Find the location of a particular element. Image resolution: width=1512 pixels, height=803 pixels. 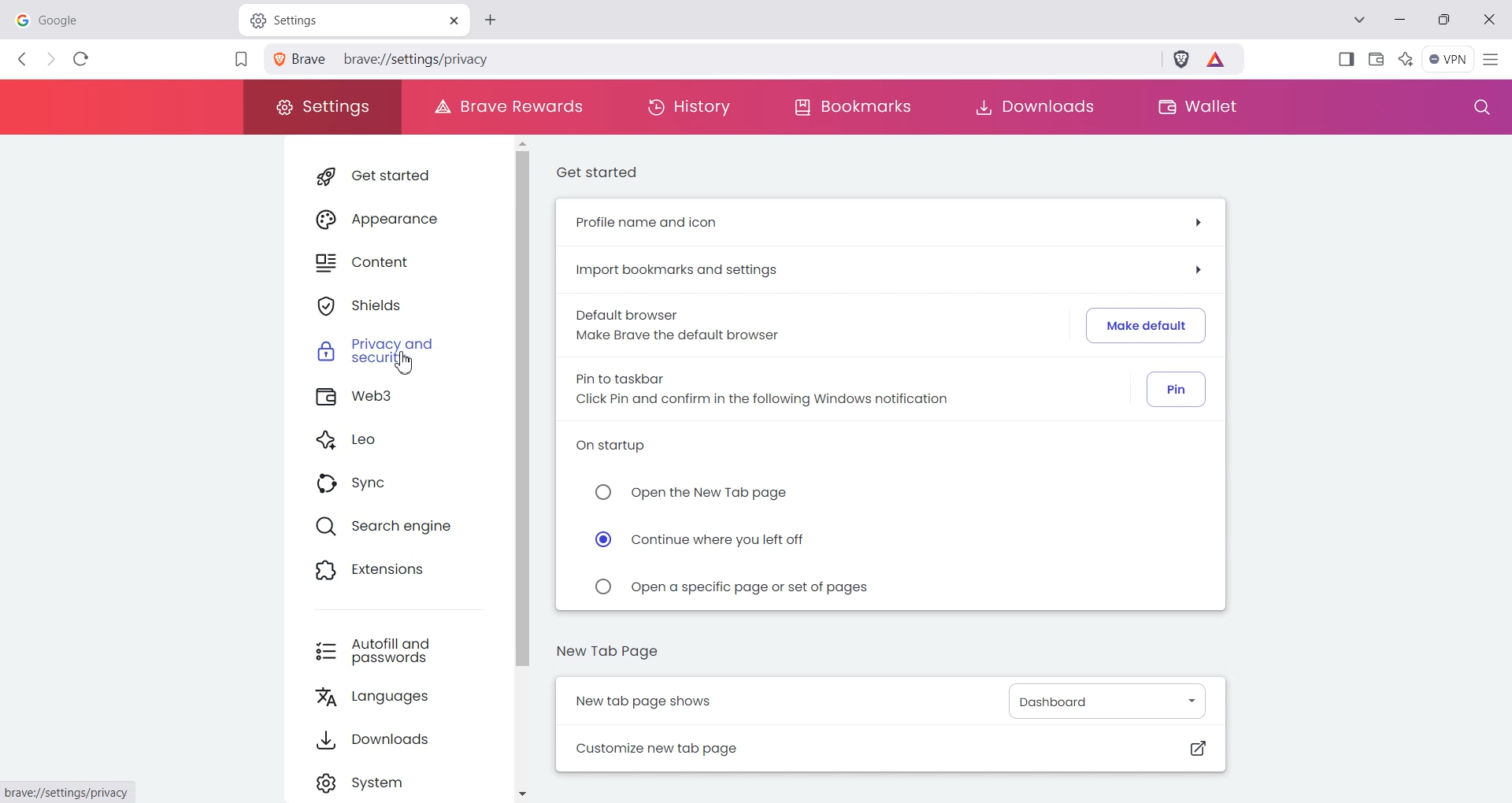

Default browser
Make Brave the default browser is located at coordinates (677, 324).